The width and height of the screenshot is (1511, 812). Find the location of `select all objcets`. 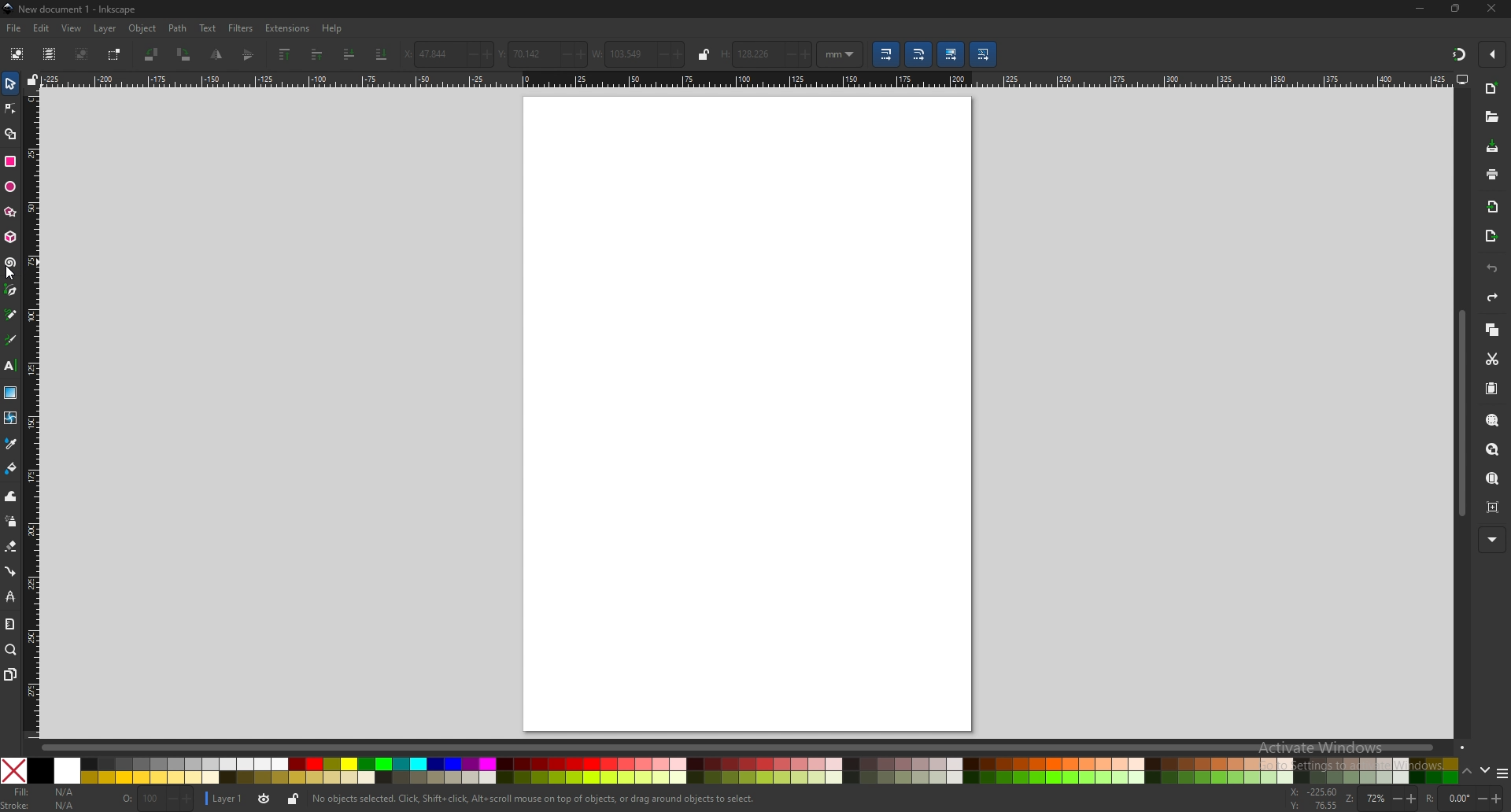

select all objcets is located at coordinates (16, 55).